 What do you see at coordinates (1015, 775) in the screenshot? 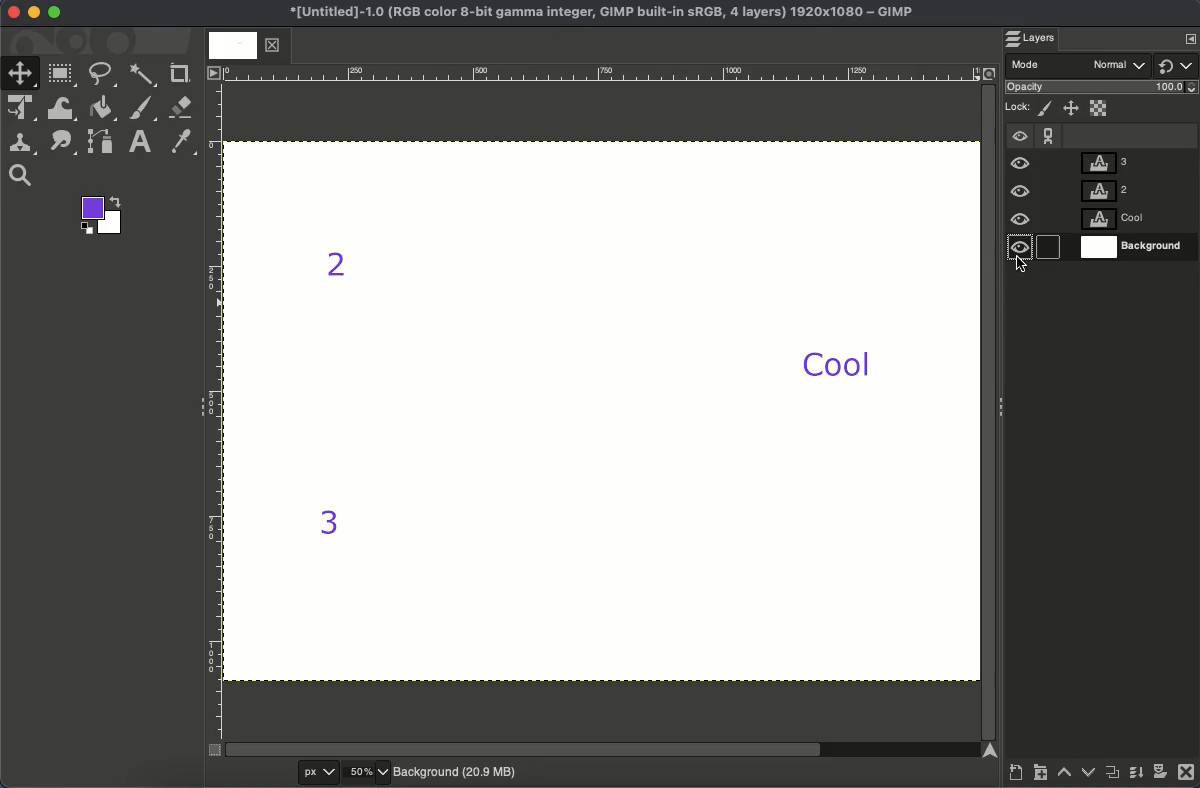
I see `Create a new layer` at bounding box center [1015, 775].